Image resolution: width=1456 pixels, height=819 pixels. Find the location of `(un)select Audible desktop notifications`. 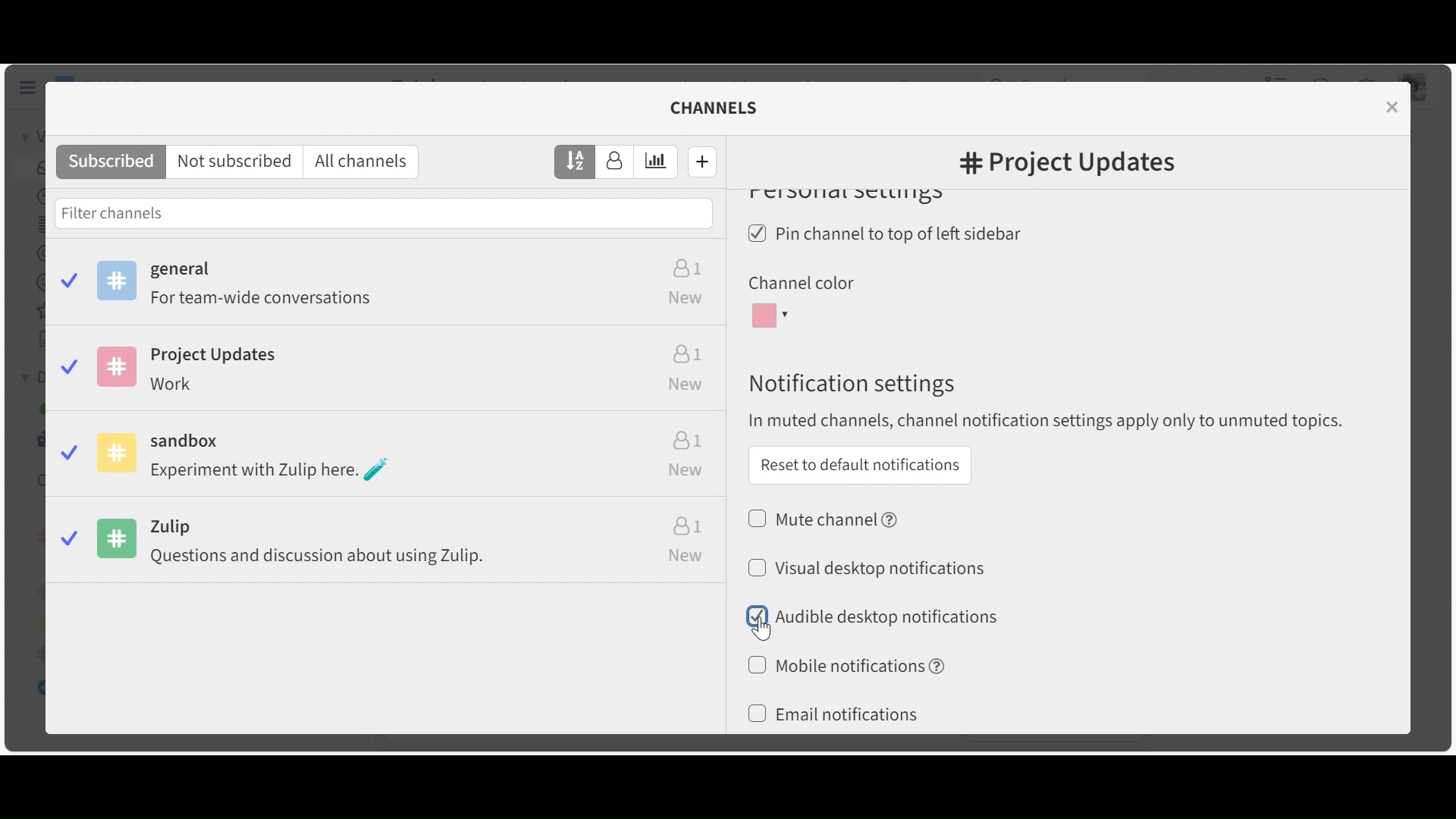

(un)select Audible desktop notifications is located at coordinates (871, 616).